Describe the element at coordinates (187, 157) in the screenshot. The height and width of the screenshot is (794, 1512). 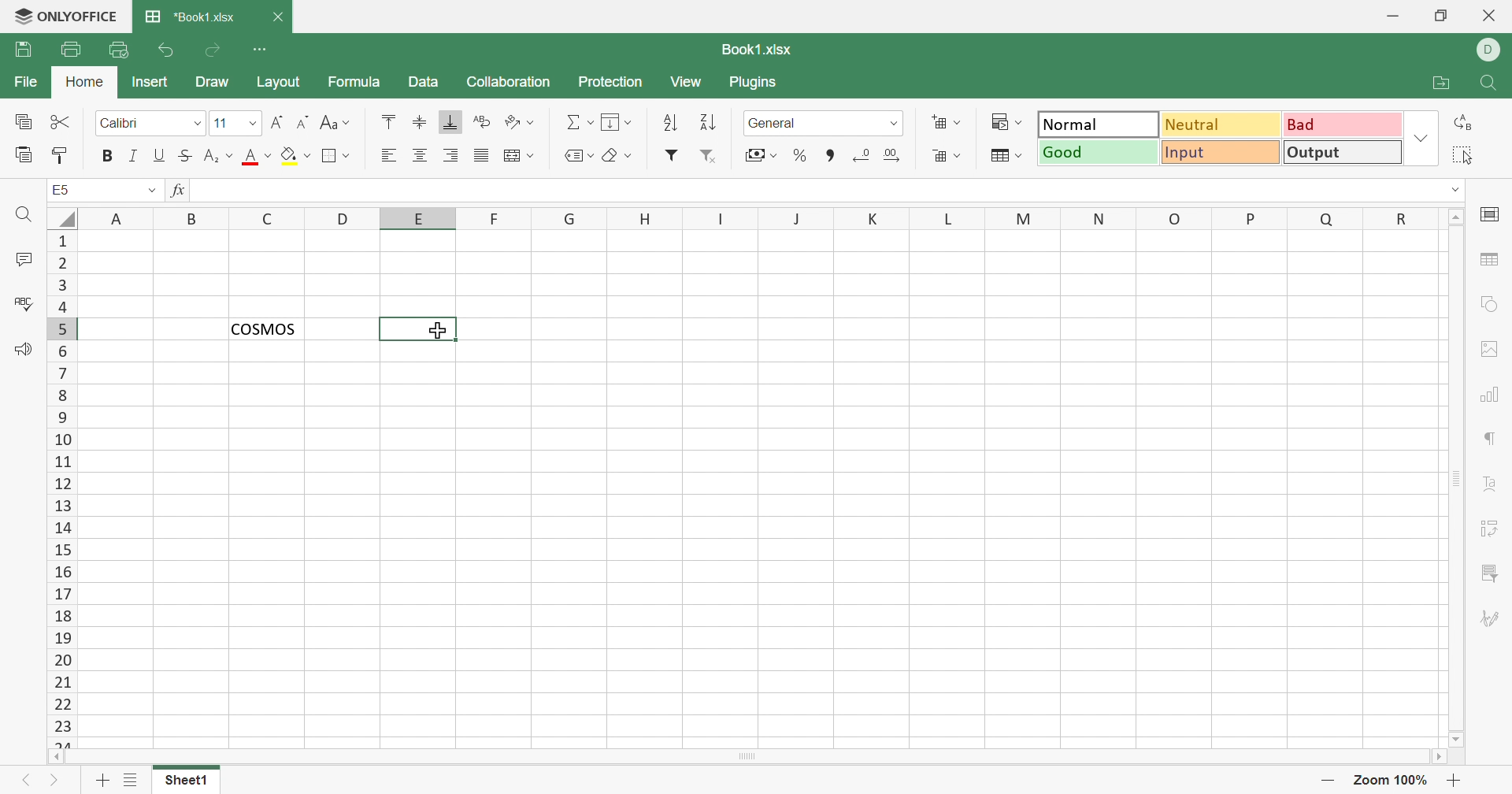
I see `Strikethrough` at that location.